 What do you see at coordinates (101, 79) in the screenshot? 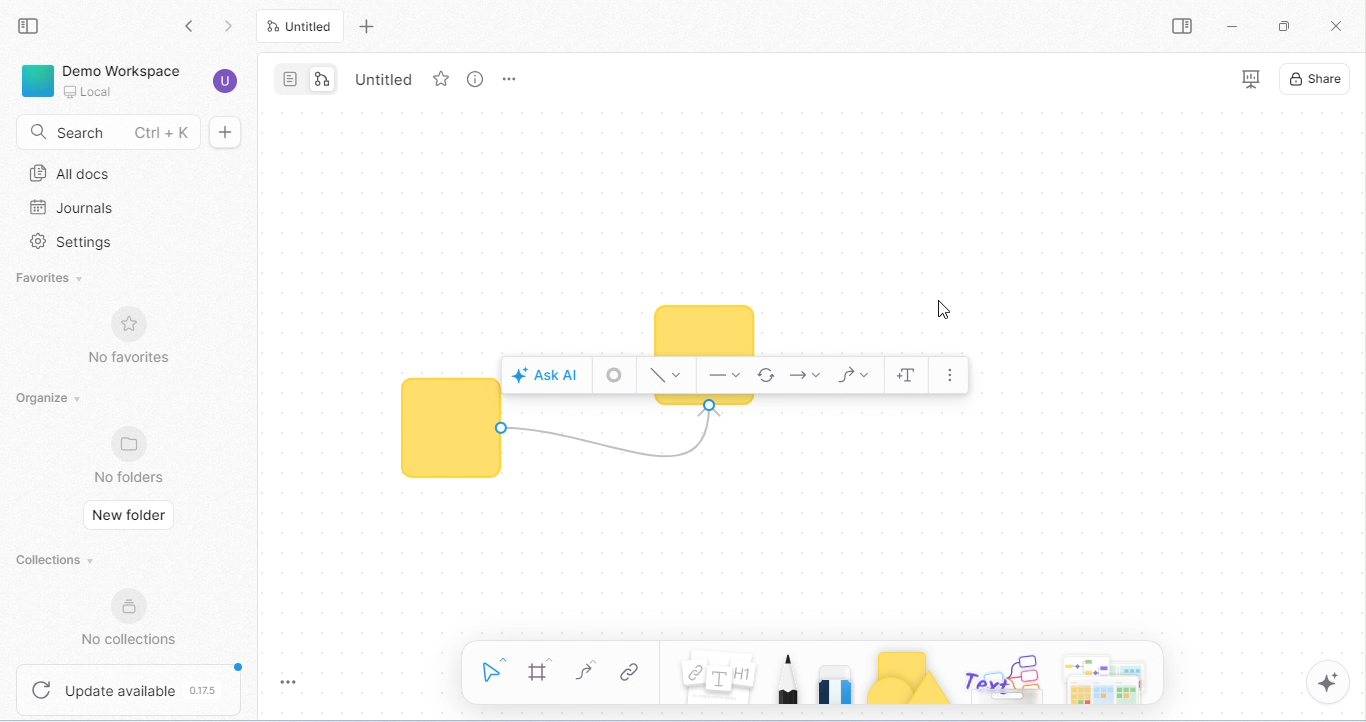
I see `demo workspace` at bounding box center [101, 79].